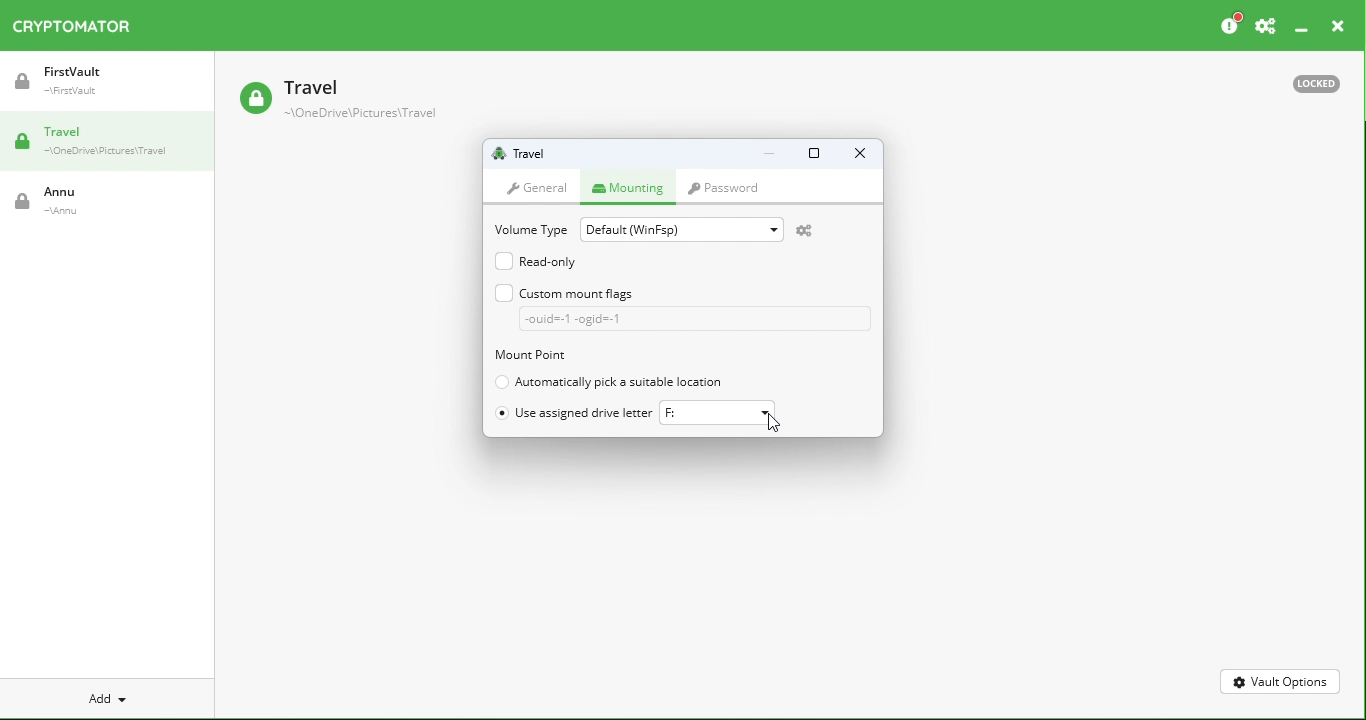  Describe the element at coordinates (576, 415) in the screenshot. I see `Use assigned drive letter` at that location.